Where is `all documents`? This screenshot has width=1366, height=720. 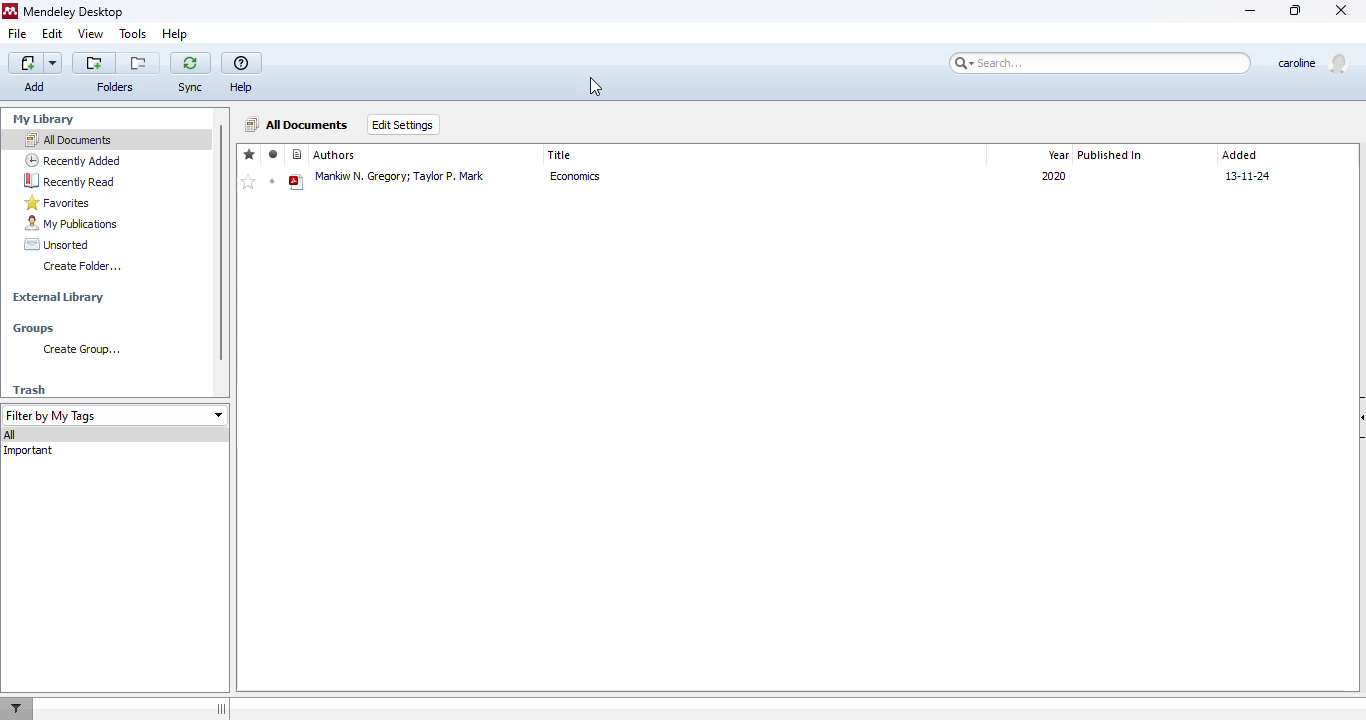
all documents is located at coordinates (68, 139).